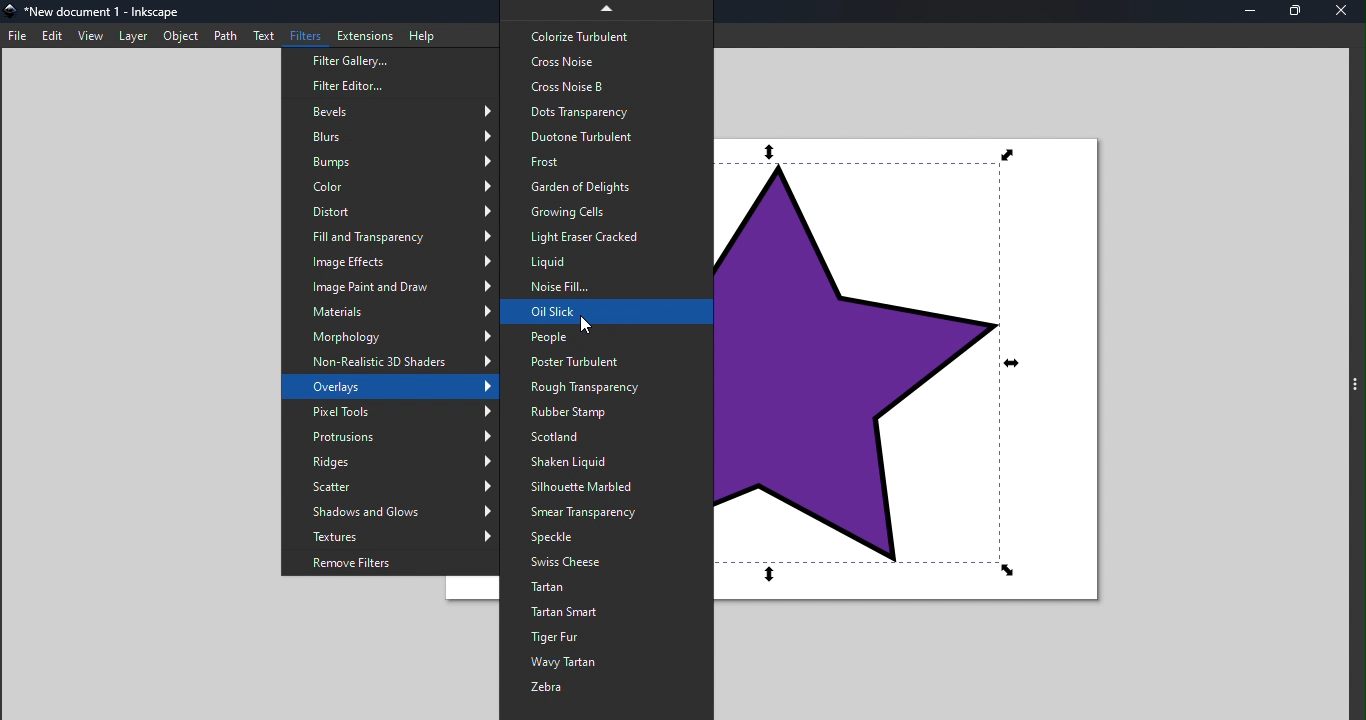 This screenshot has width=1366, height=720. What do you see at coordinates (391, 388) in the screenshot?
I see `Overlays` at bounding box center [391, 388].